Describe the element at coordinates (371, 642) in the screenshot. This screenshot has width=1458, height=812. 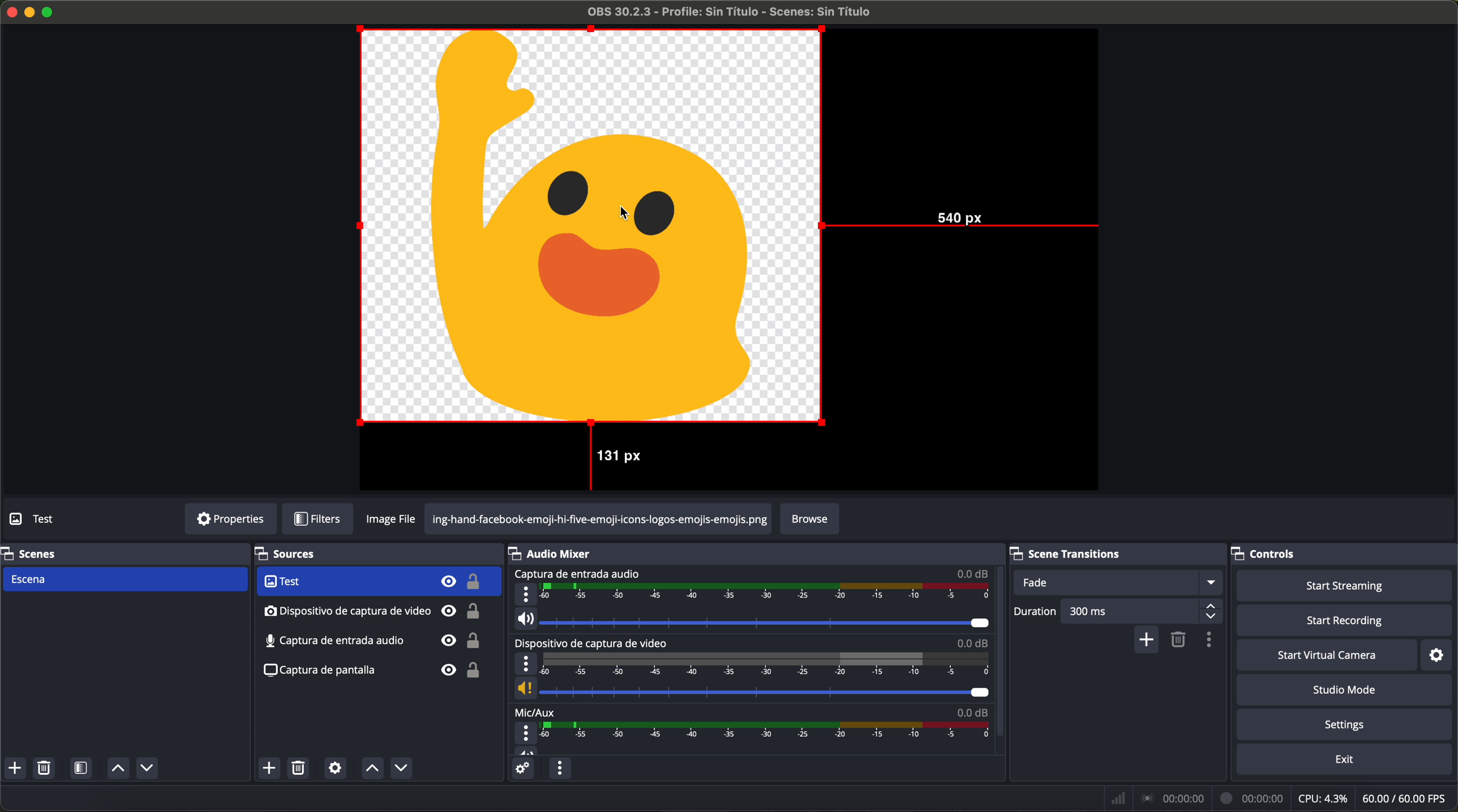
I see `screenshot` at that location.